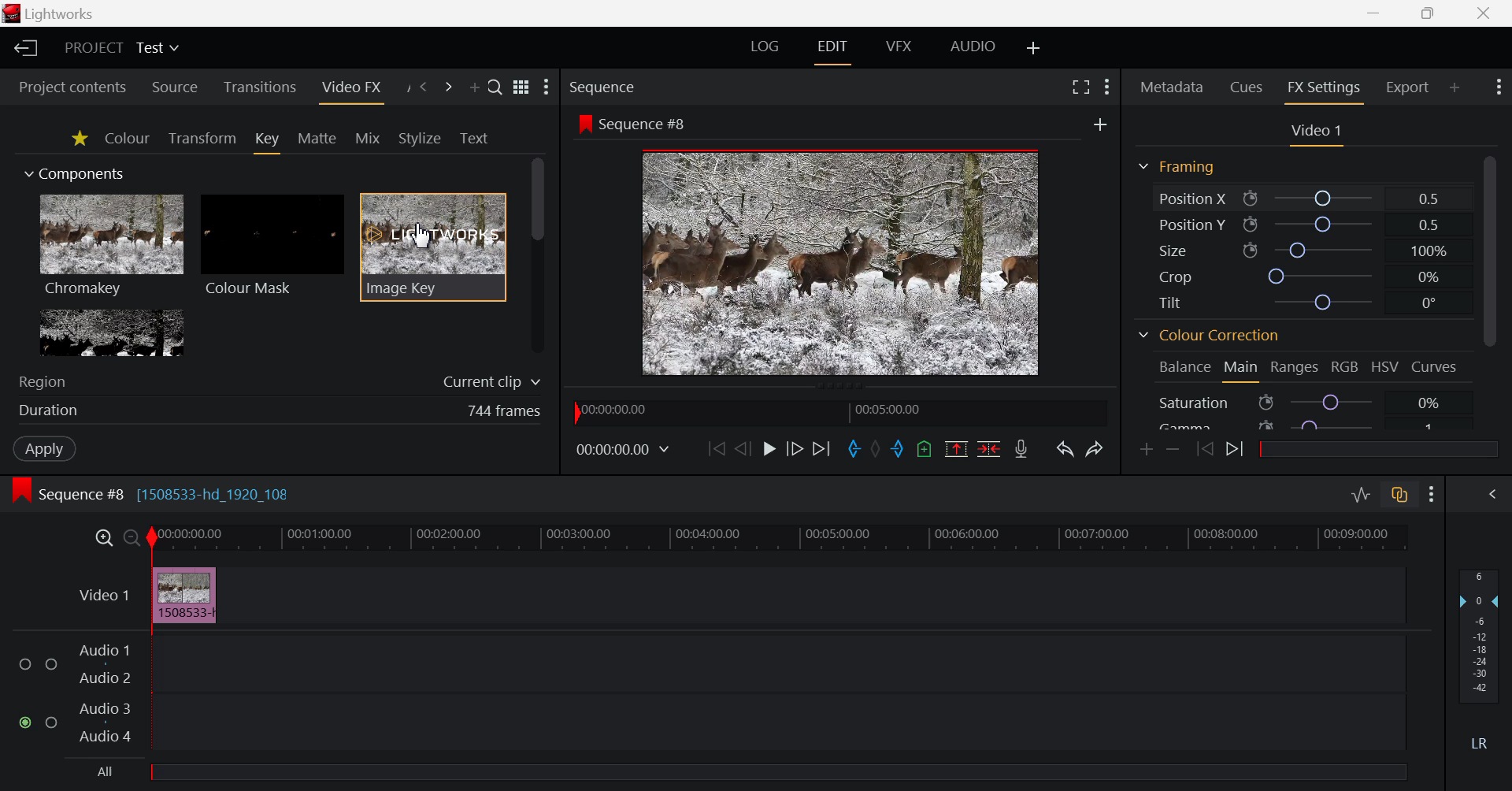 The image size is (1512, 791). What do you see at coordinates (1067, 448) in the screenshot?
I see `Undo` at bounding box center [1067, 448].